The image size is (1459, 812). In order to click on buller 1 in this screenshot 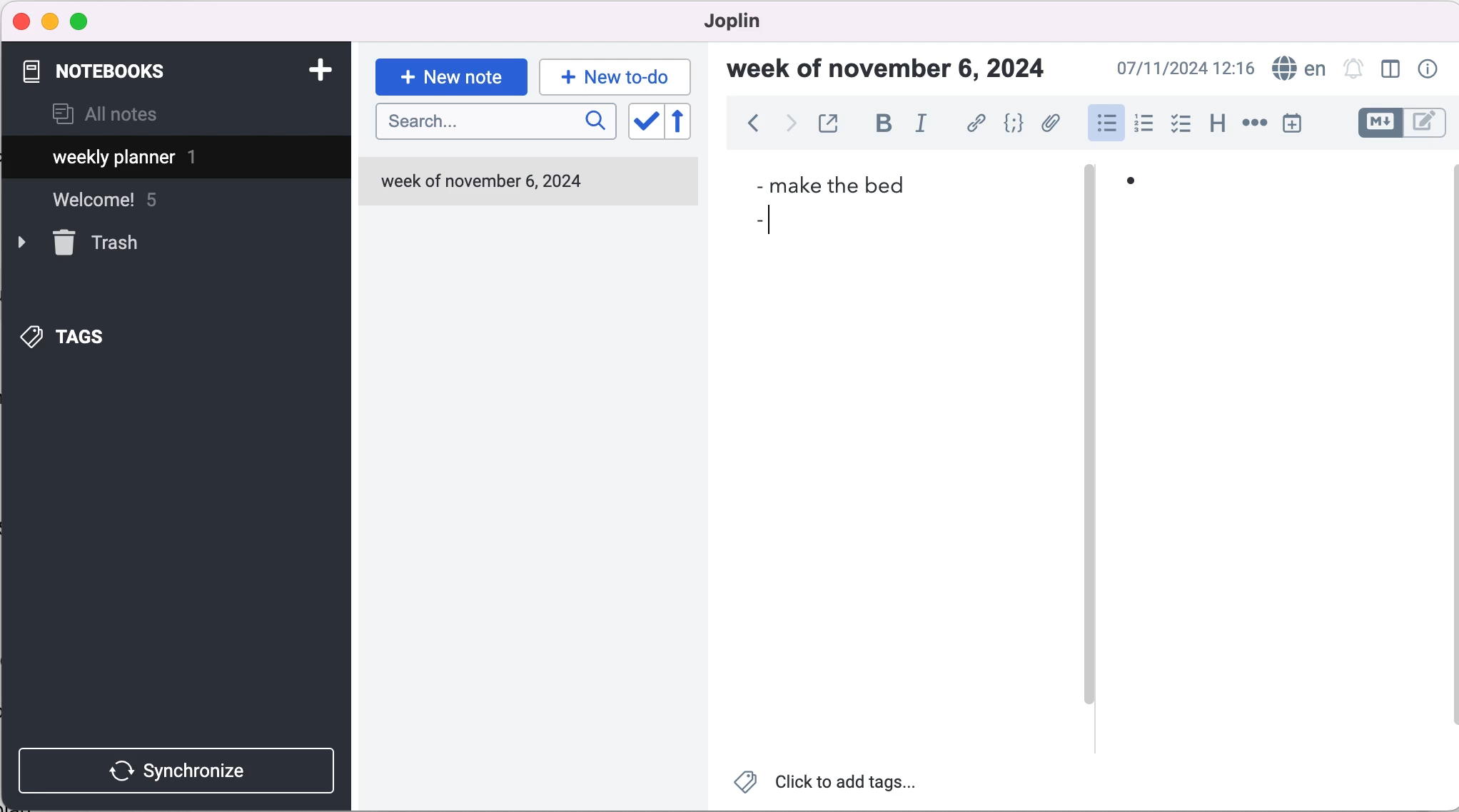, I will do `click(1144, 188)`.